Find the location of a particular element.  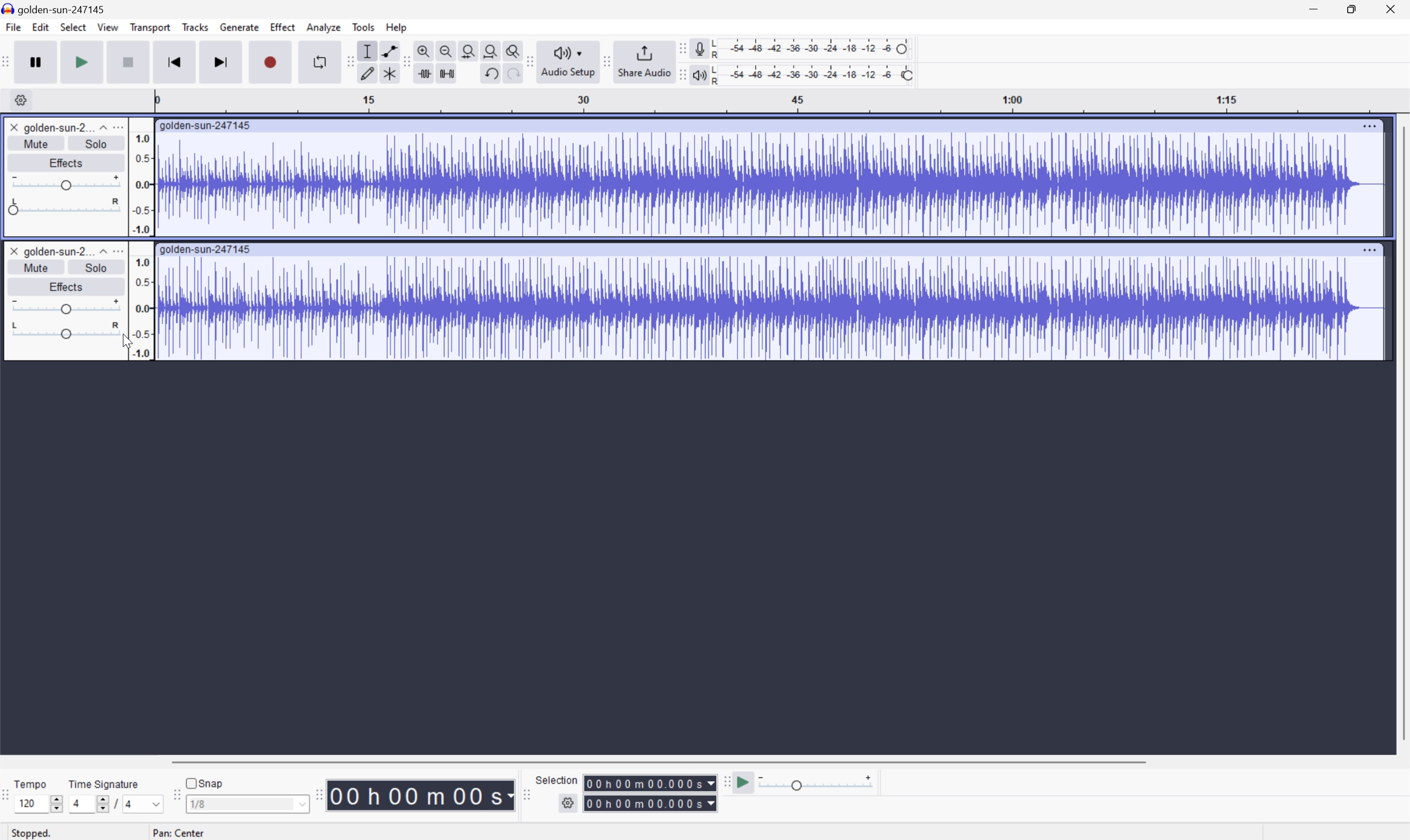

Audacity audio setup toolbar is located at coordinates (528, 61).